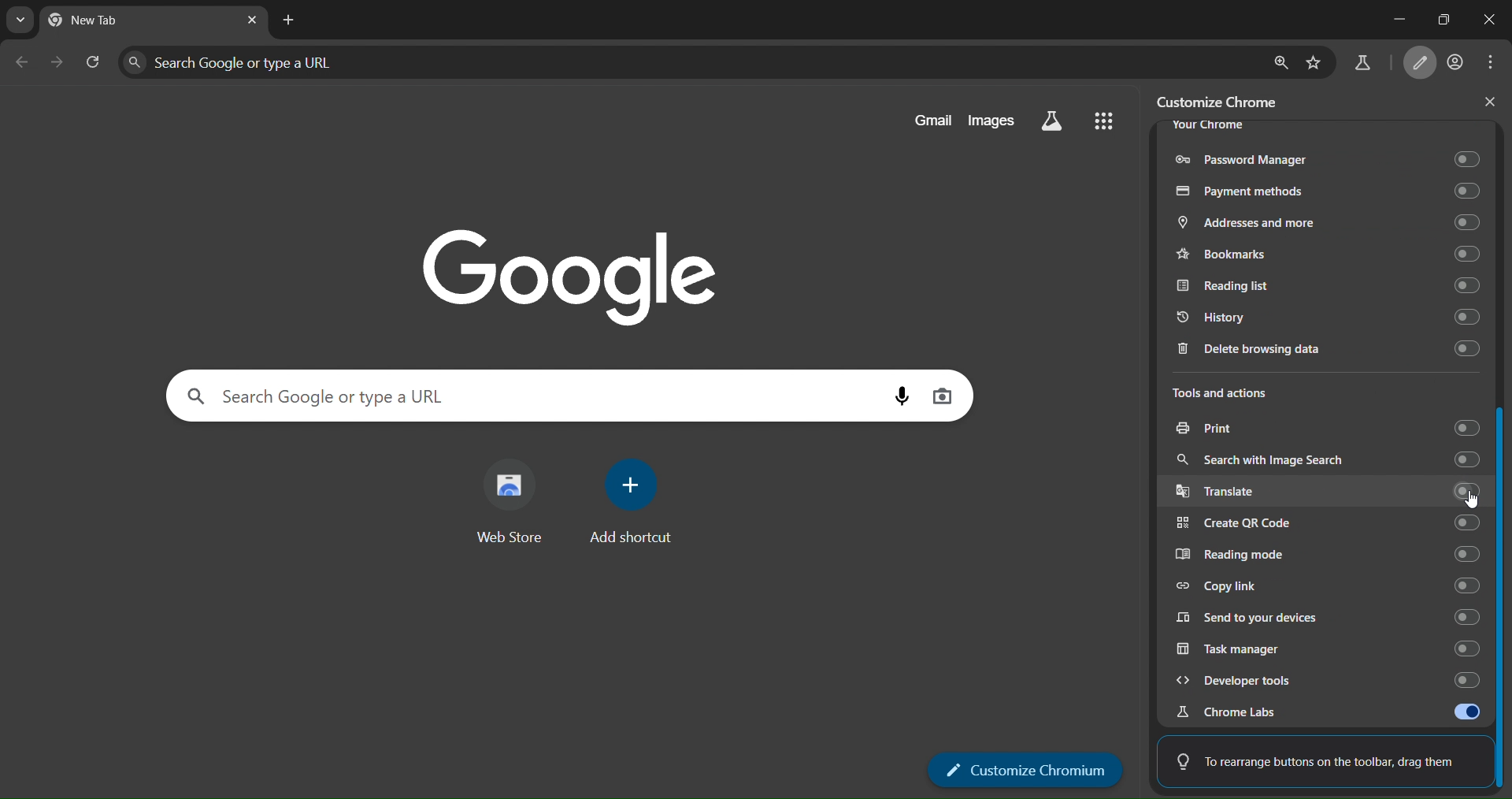 Image resolution: width=1512 pixels, height=799 pixels. I want to click on To rearrange buttons on the toolbar, drag them, so click(1313, 761).